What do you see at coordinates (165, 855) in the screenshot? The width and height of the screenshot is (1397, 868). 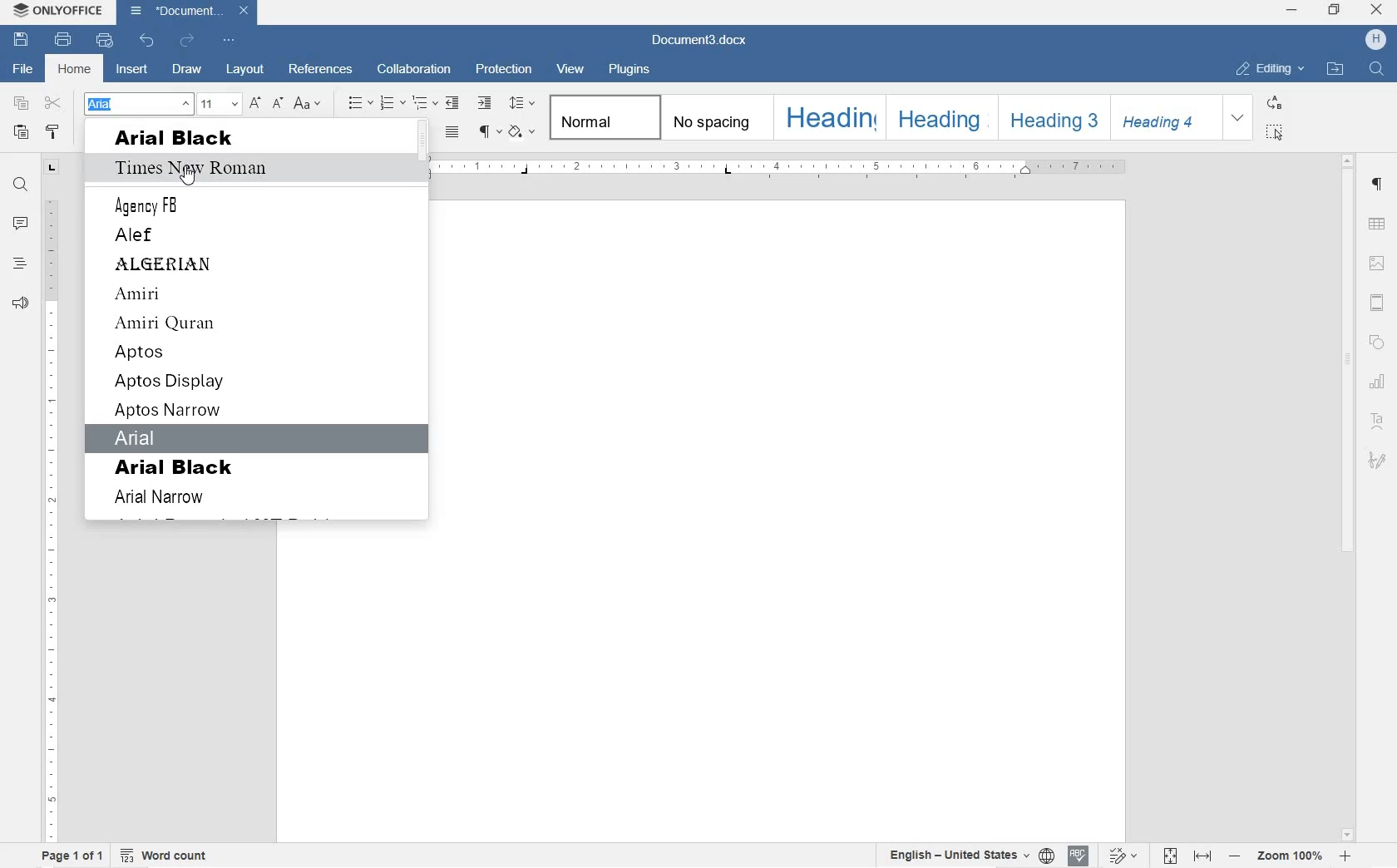 I see `WORD COUNT` at bounding box center [165, 855].